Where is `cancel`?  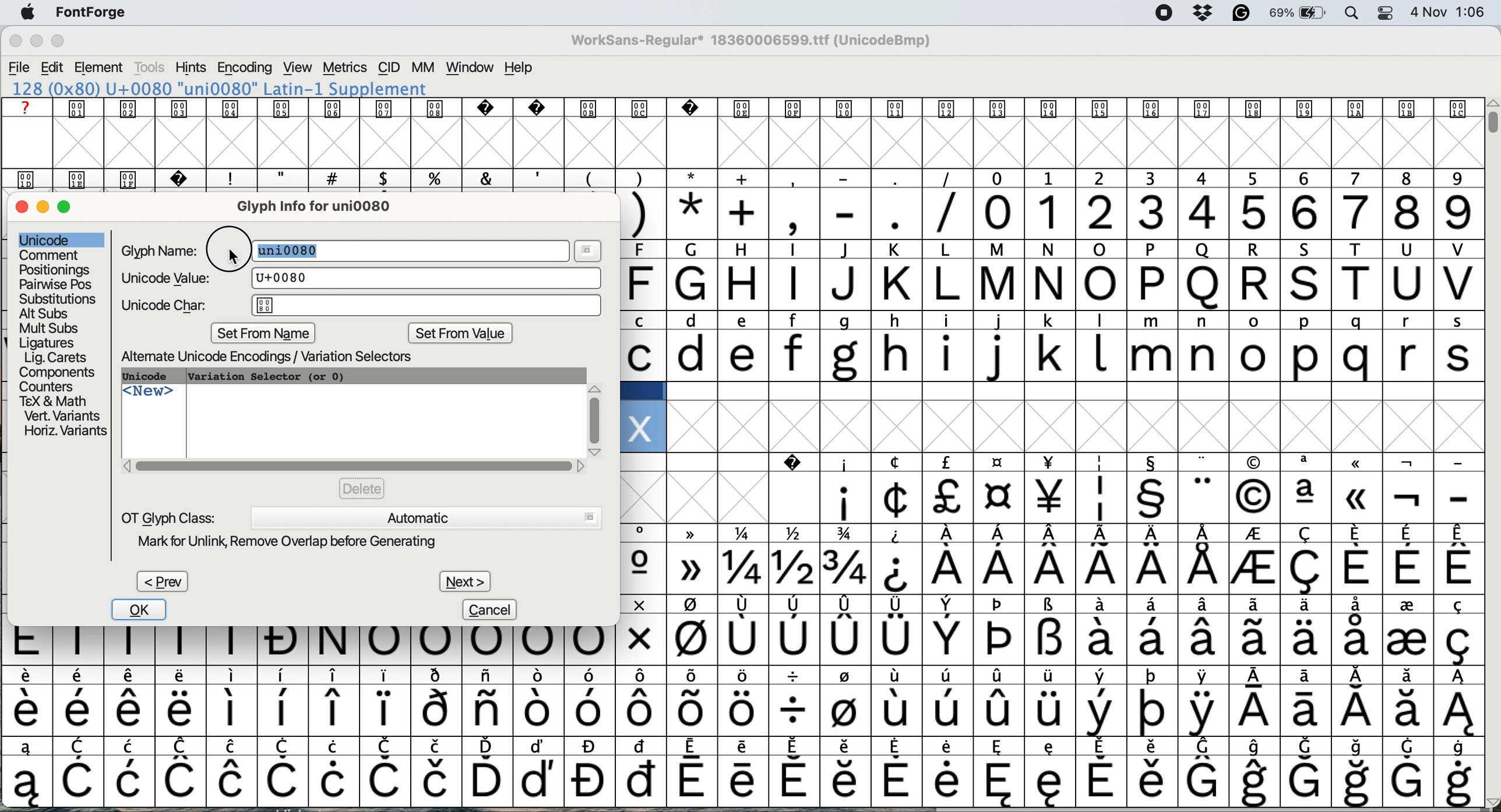 cancel is located at coordinates (492, 609).